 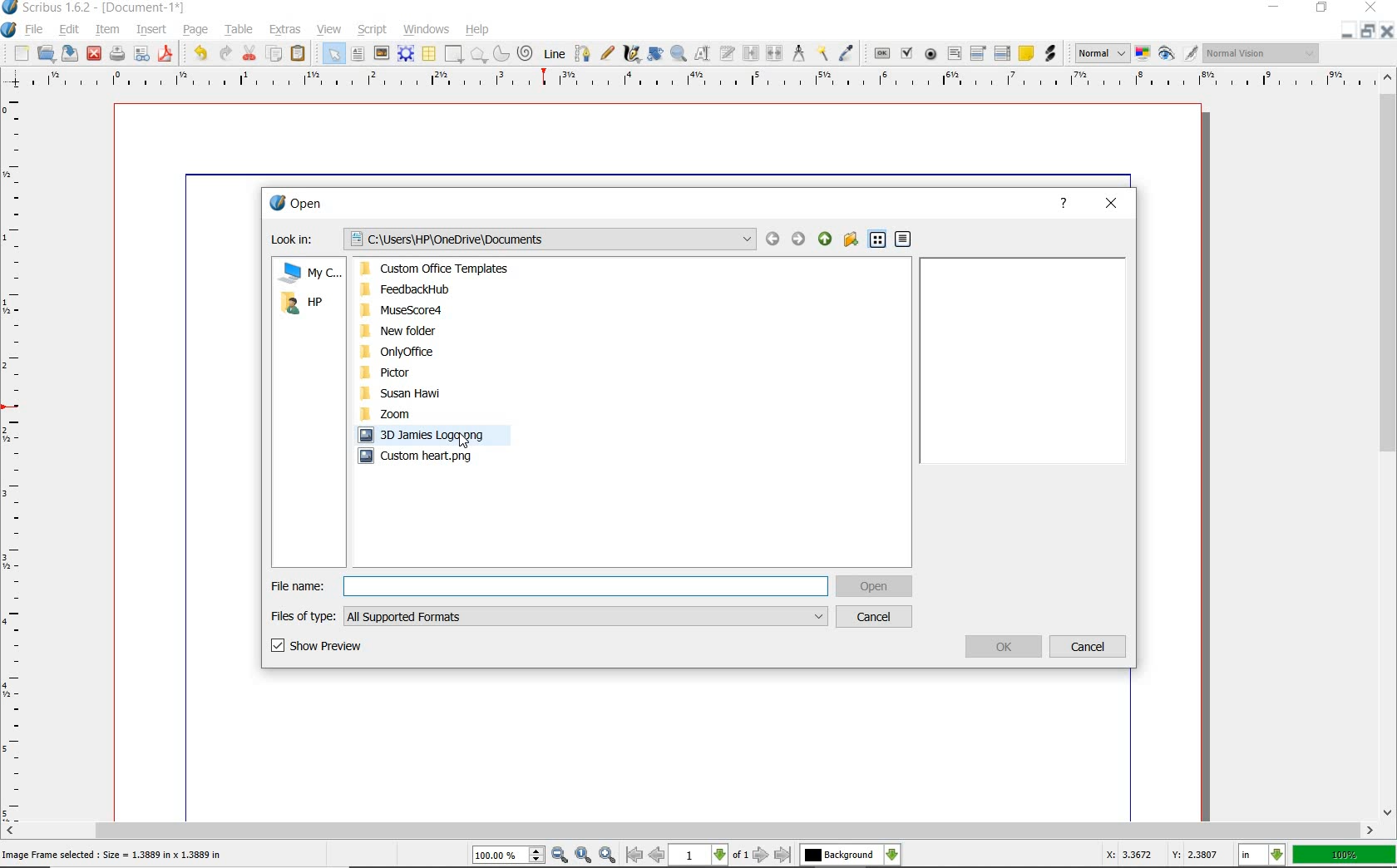 What do you see at coordinates (728, 53) in the screenshot?
I see `edit text with story editor` at bounding box center [728, 53].